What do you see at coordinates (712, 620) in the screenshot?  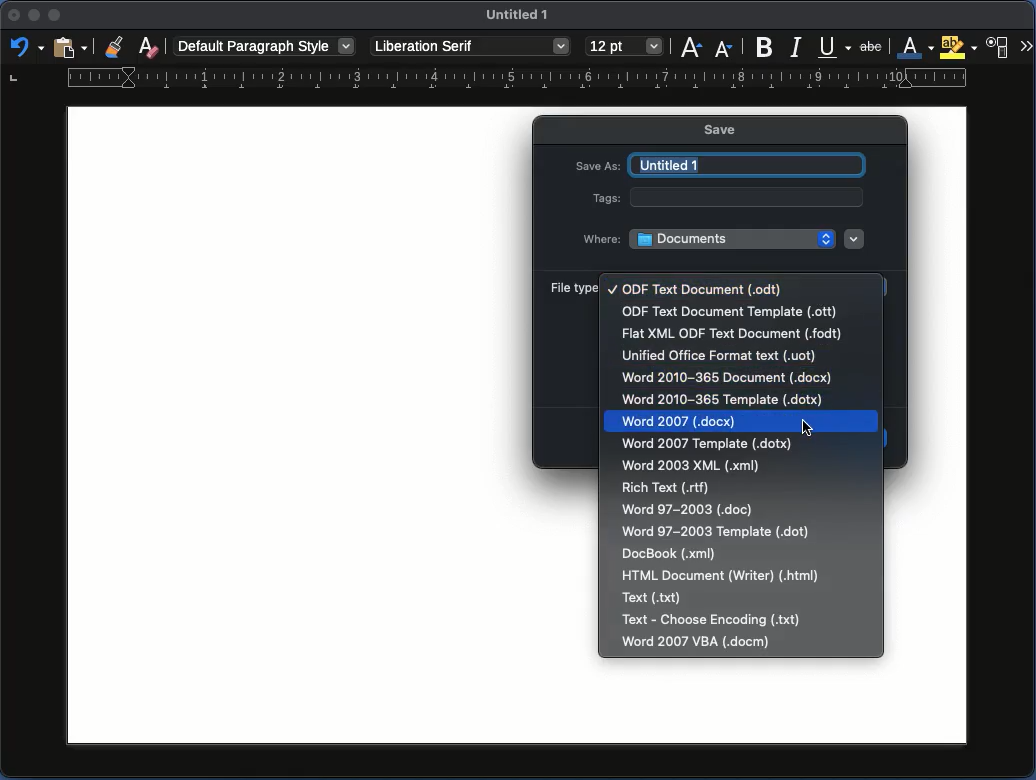 I see `txt` at bounding box center [712, 620].